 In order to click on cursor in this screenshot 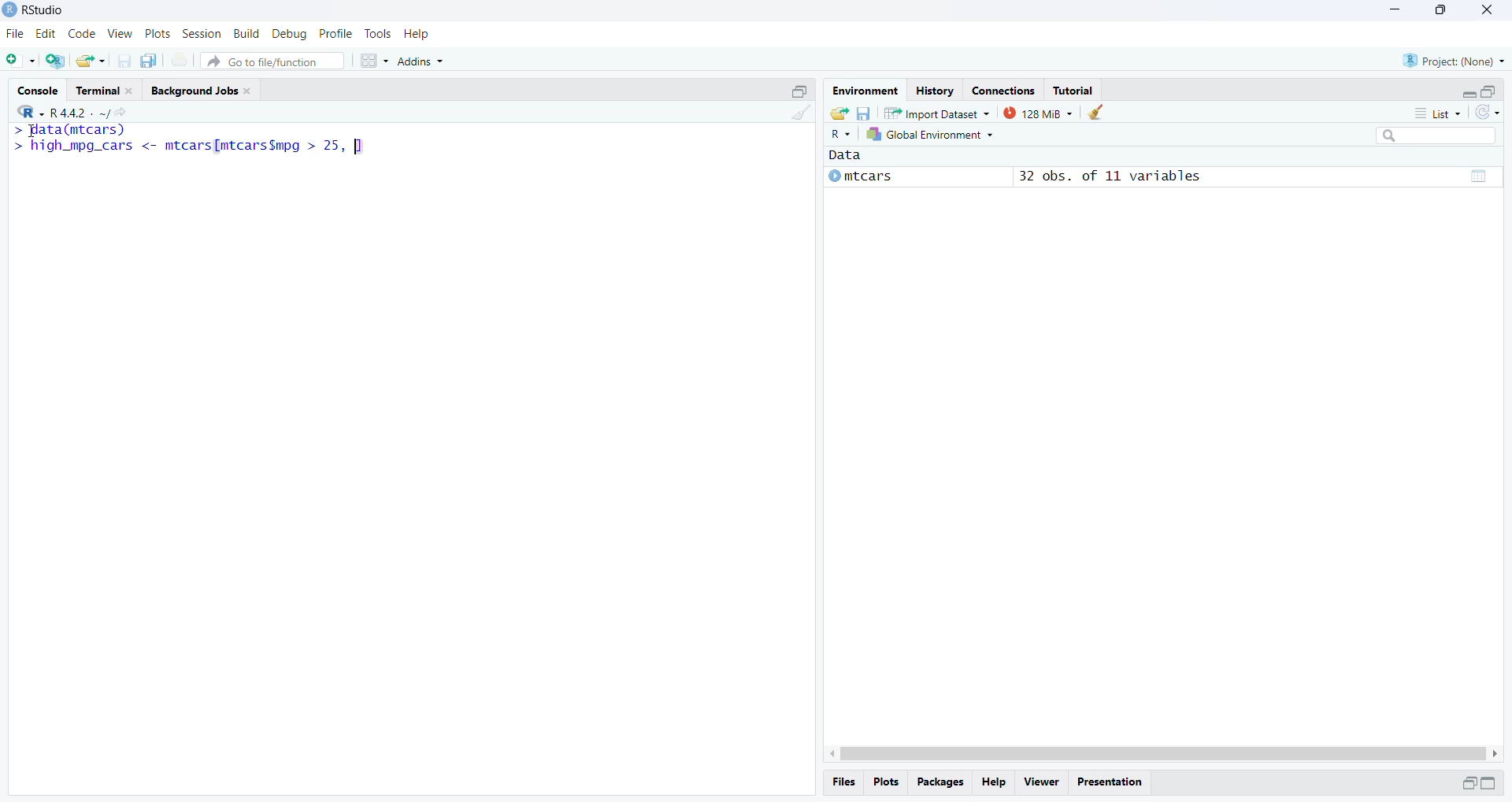, I will do `click(29, 133)`.